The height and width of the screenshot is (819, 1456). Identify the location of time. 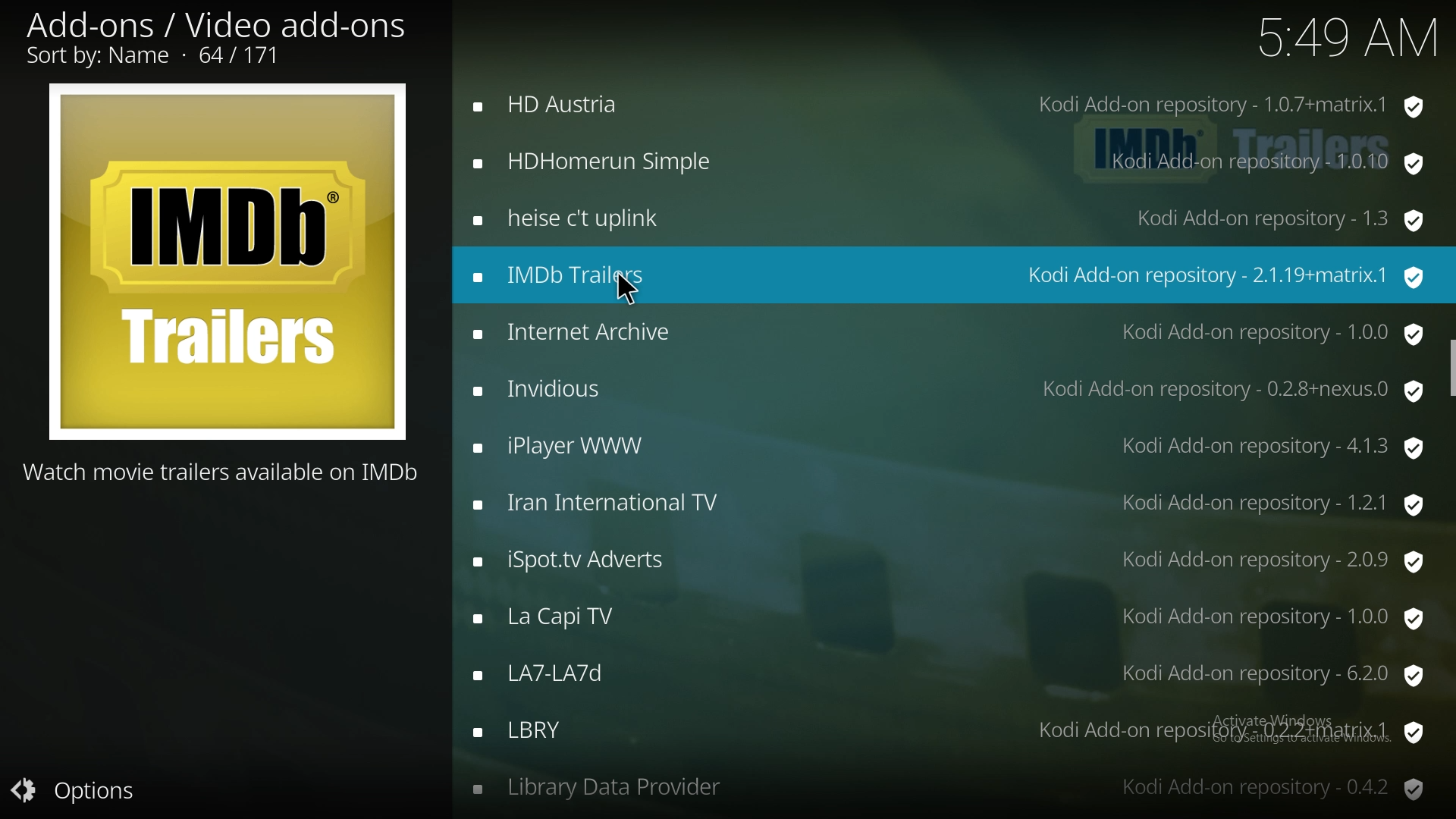
(1338, 39).